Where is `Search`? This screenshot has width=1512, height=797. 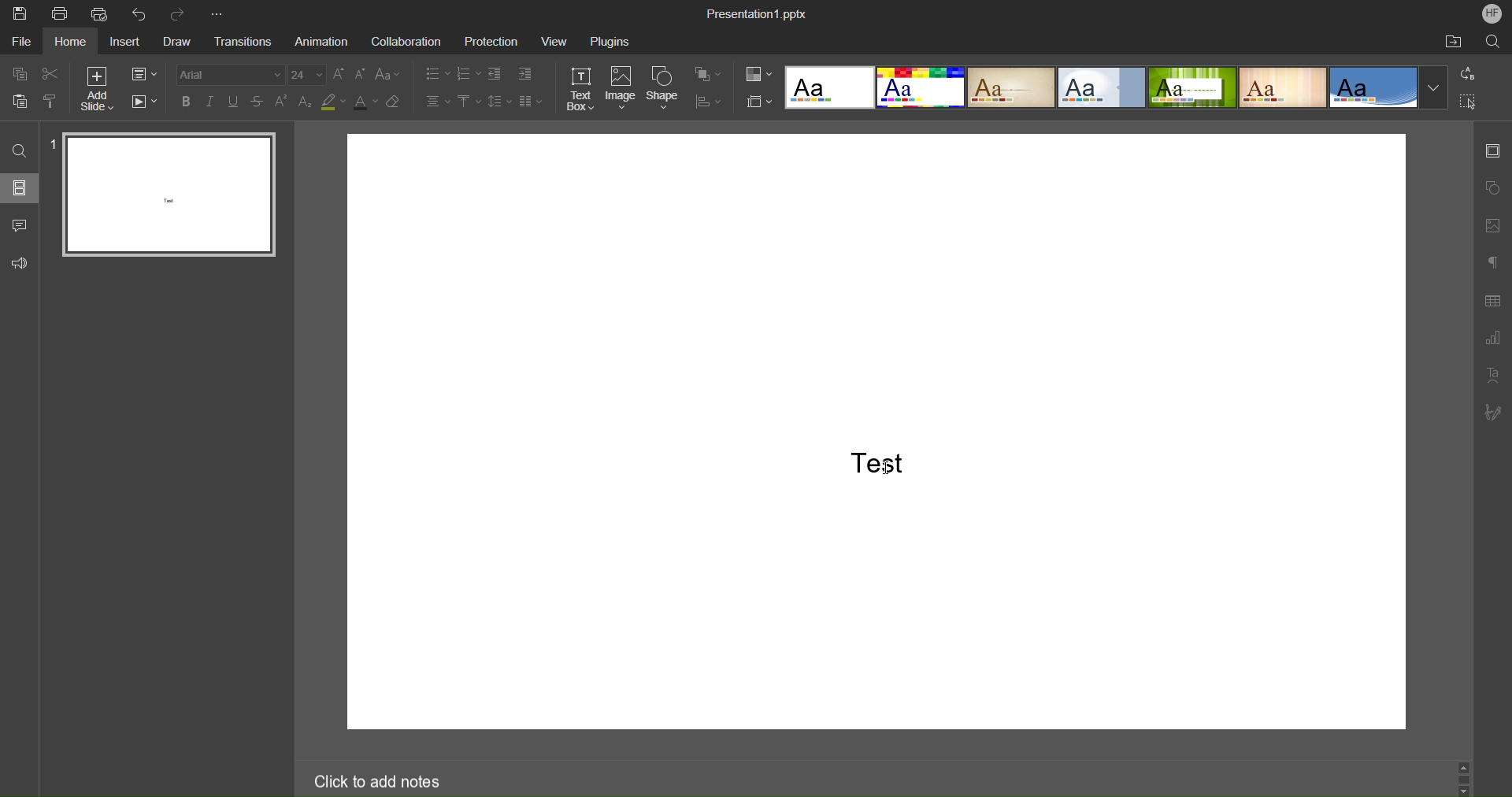
Search is located at coordinates (18, 146).